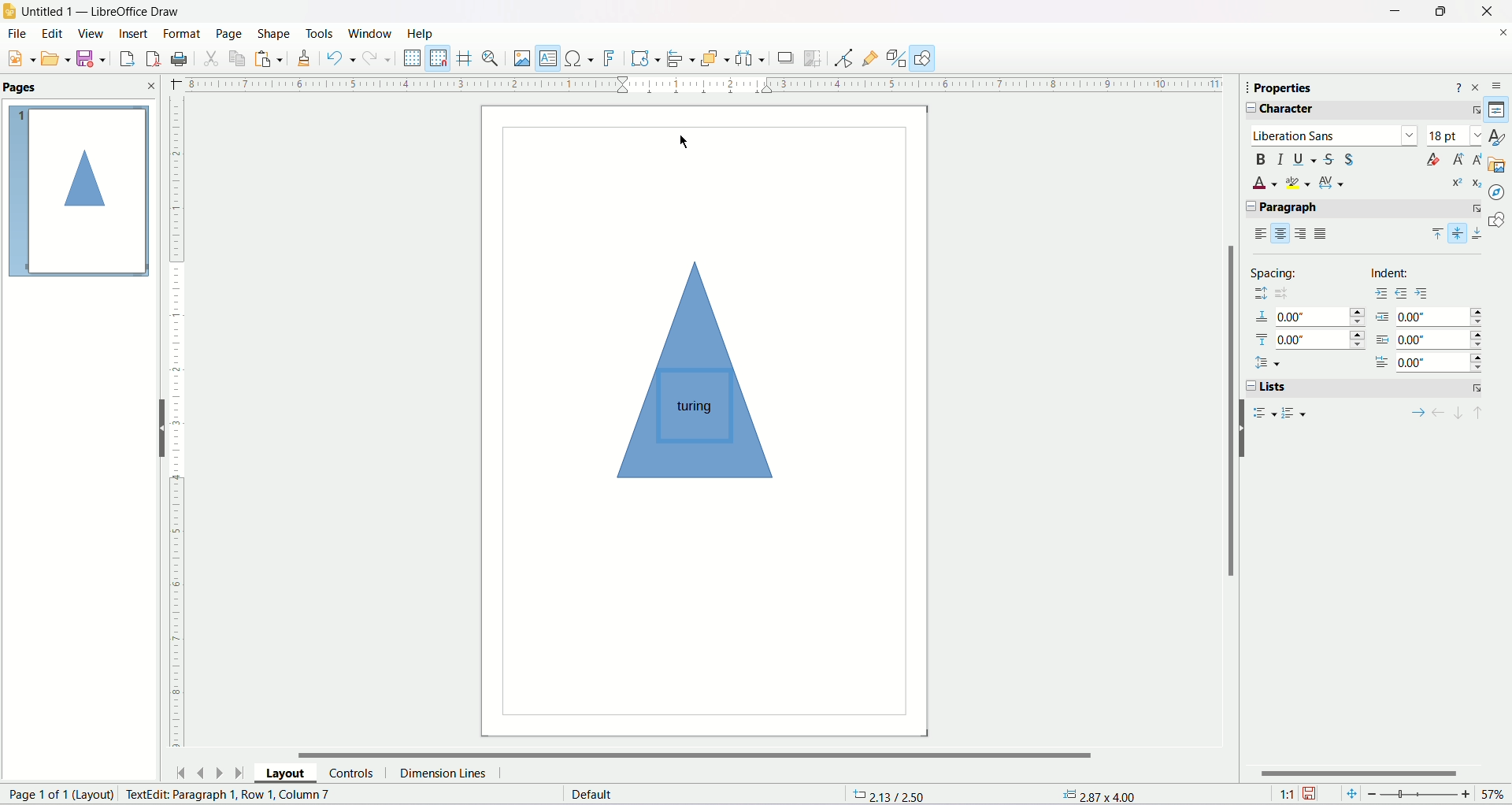  Describe the element at coordinates (680, 57) in the screenshot. I see `Align objects` at that location.